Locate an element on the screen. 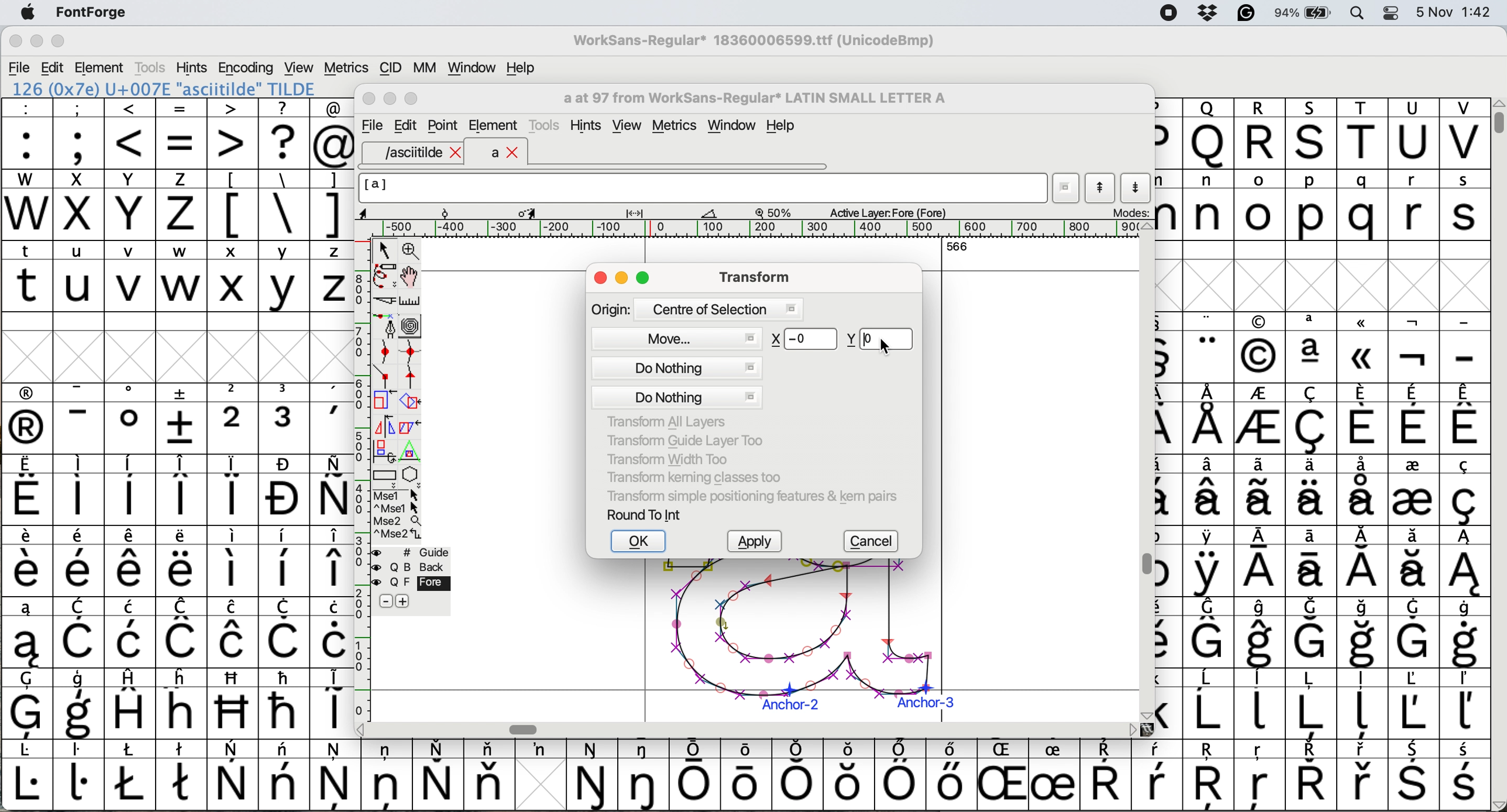 This screenshot has height=812, width=1507. symbol is located at coordinates (1463, 490).